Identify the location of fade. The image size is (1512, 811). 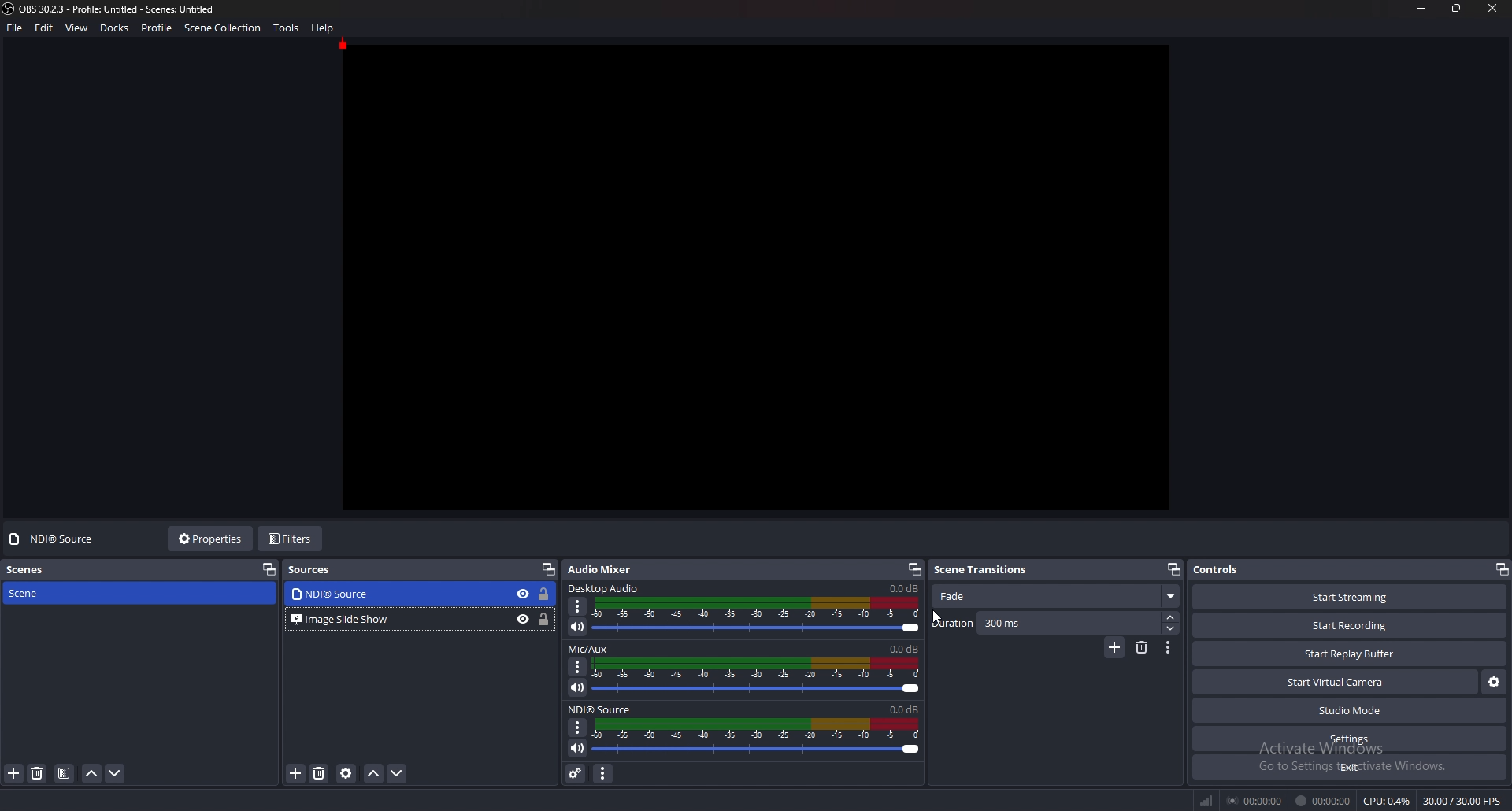
(1055, 597).